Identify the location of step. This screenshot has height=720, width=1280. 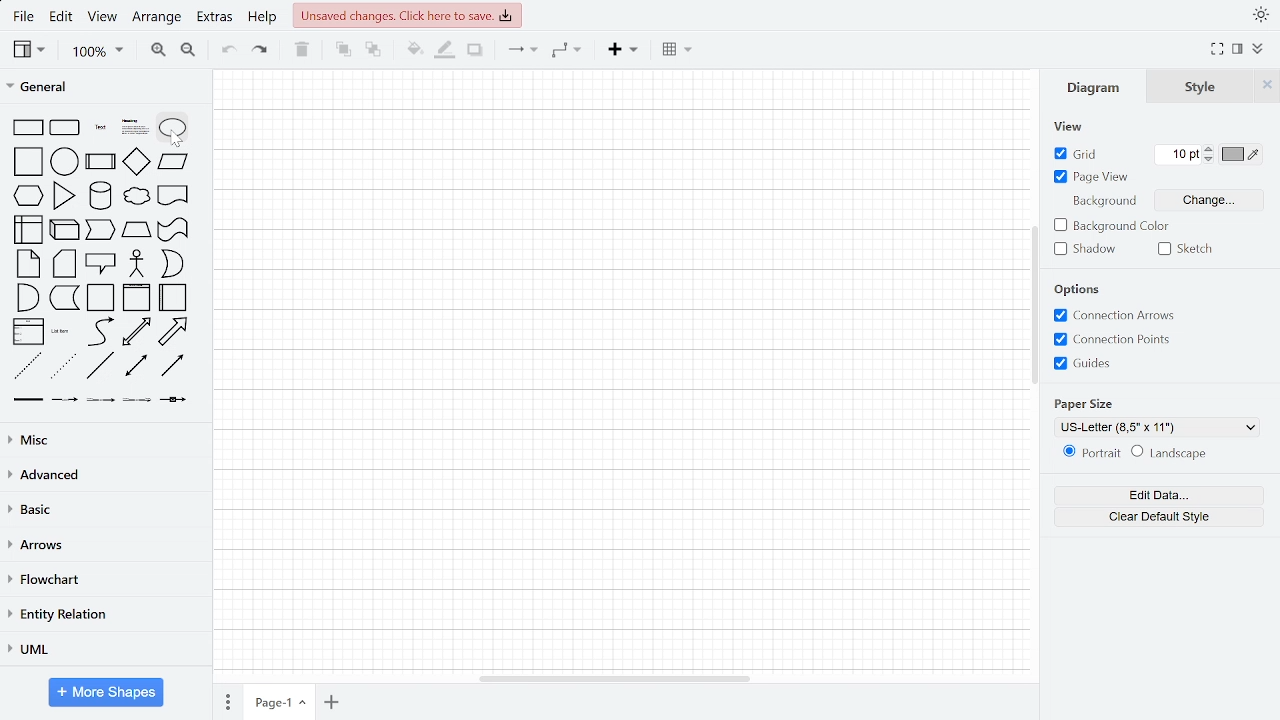
(101, 230).